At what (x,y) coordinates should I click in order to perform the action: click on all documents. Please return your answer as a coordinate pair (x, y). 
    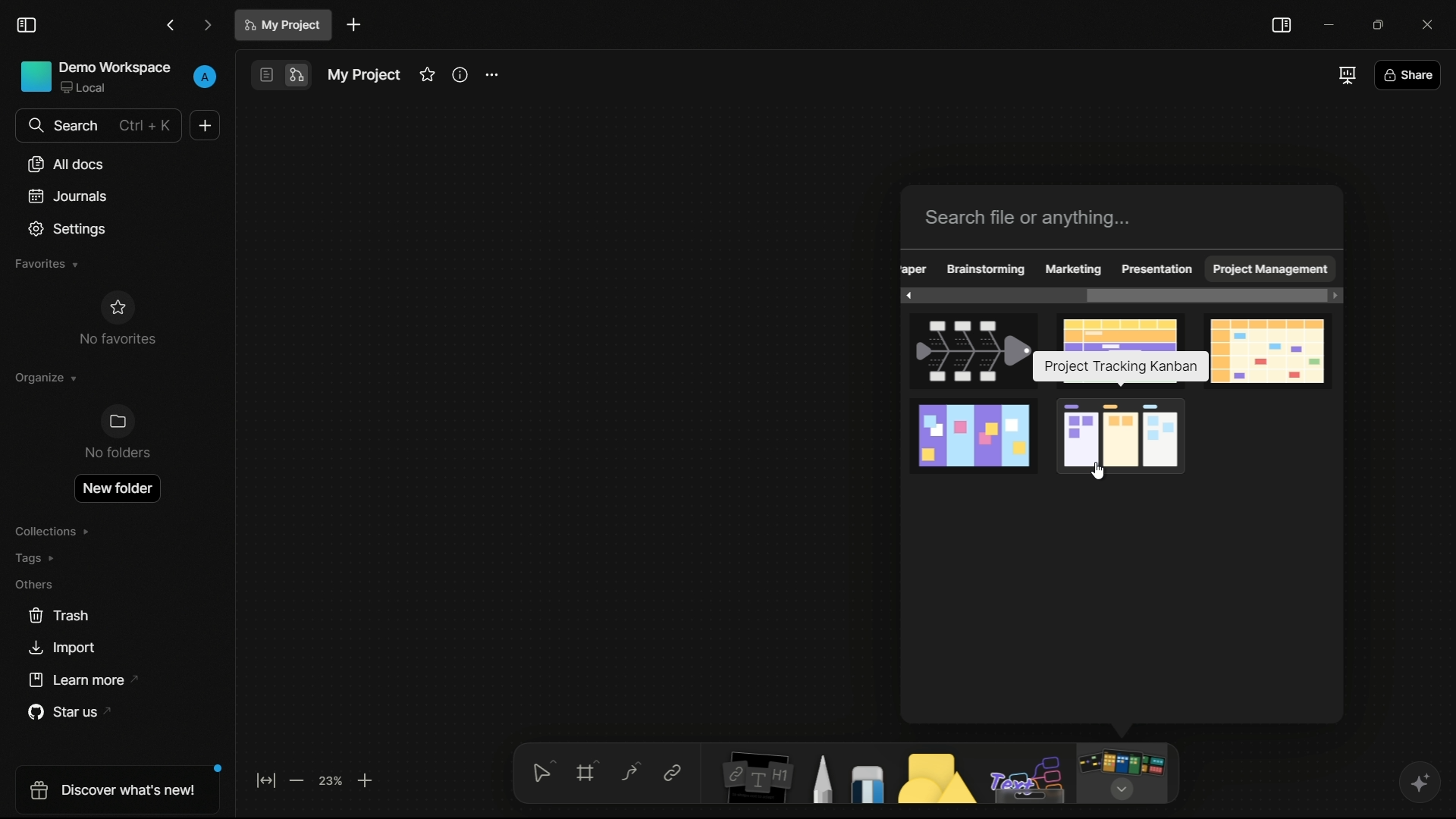
    Looking at the image, I should click on (67, 164).